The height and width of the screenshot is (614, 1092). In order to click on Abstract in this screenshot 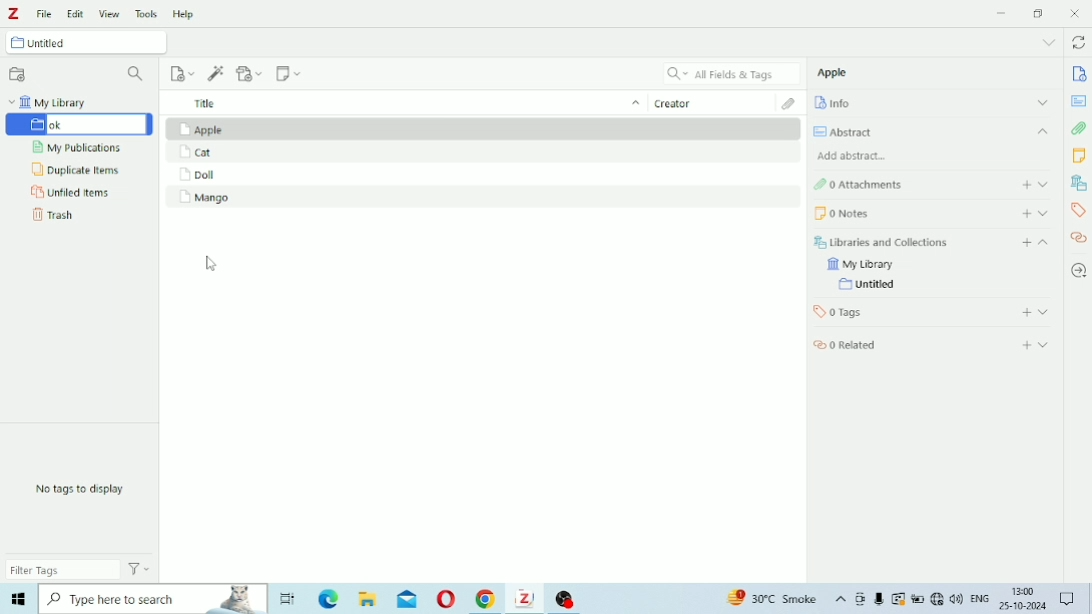, I will do `click(1079, 101)`.